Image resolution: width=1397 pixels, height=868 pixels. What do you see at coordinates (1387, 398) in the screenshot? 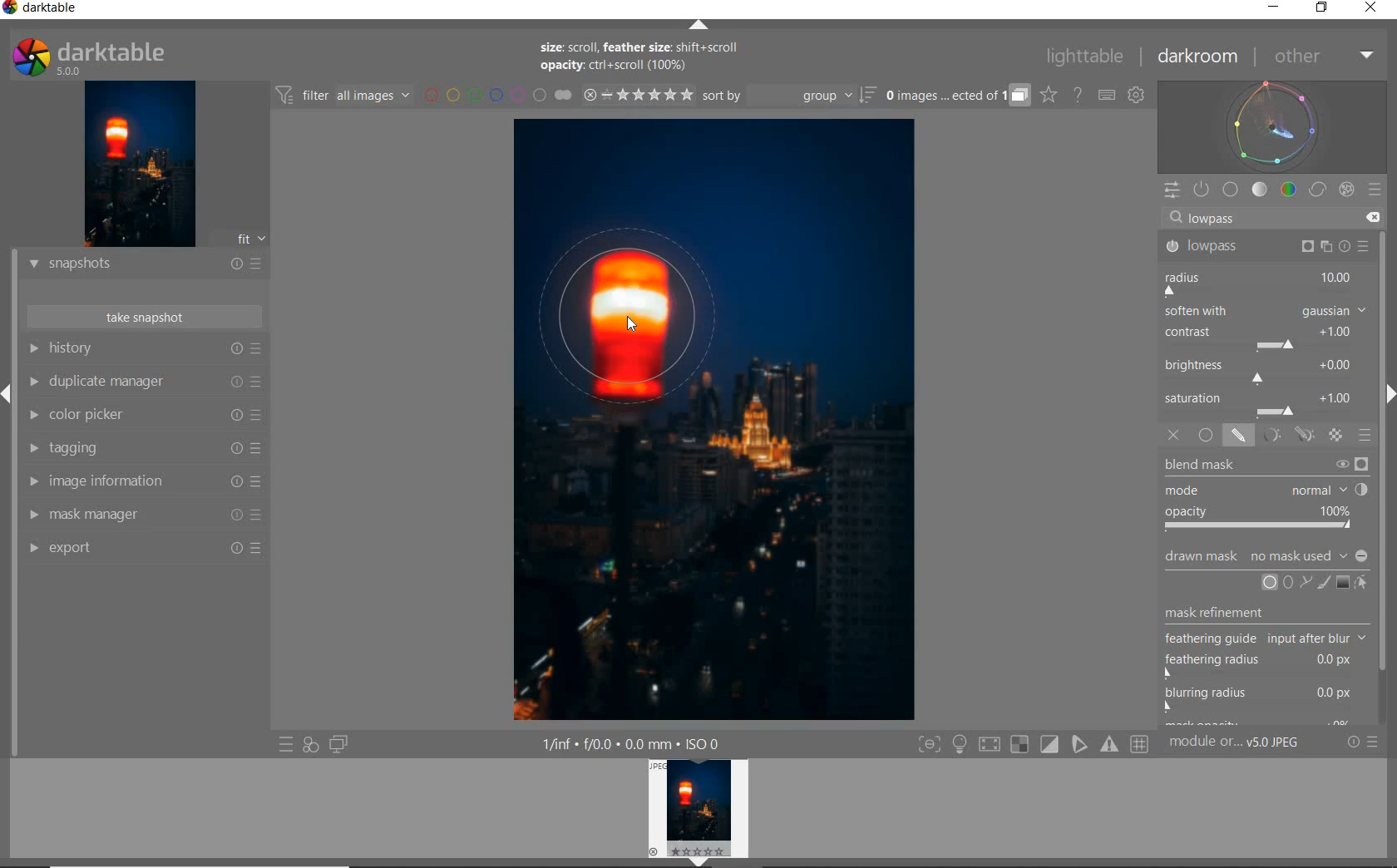
I see `expand/collapse` at bounding box center [1387, 398].